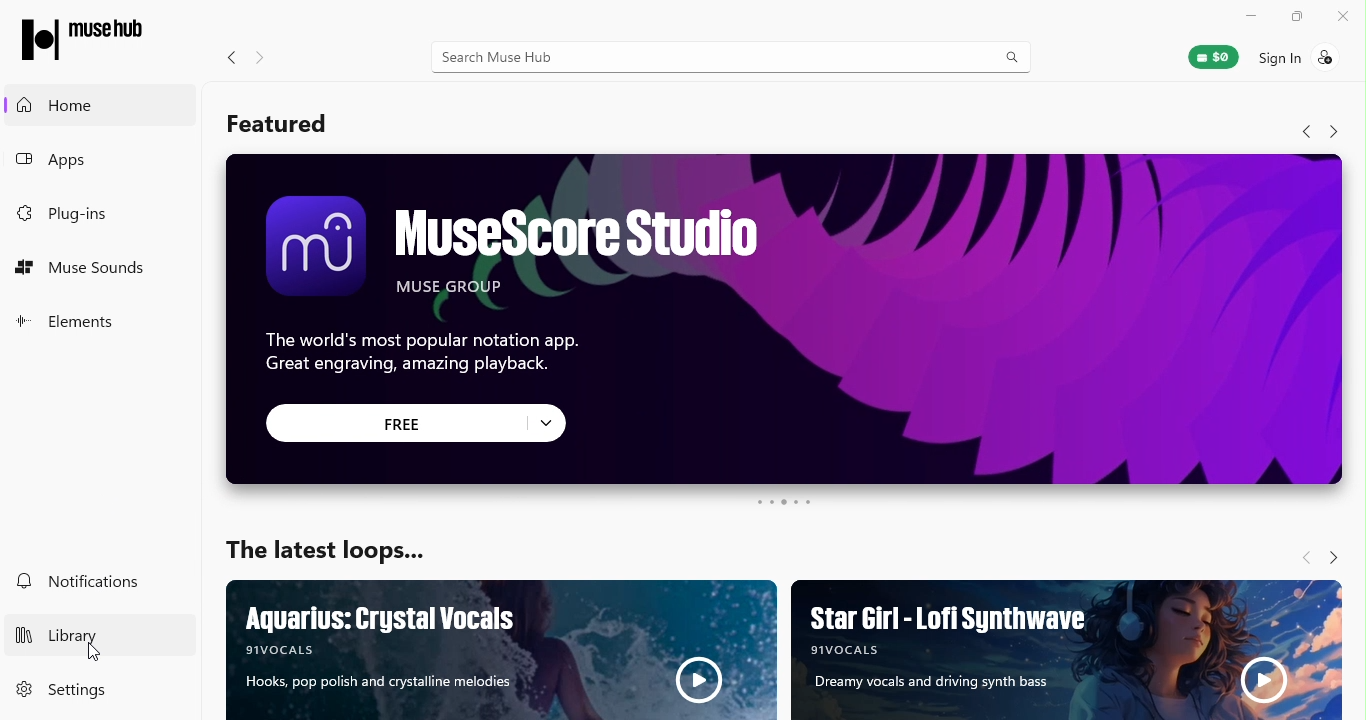  What do you see at coordinates (734, 59) in the screenshot?
I see `Search bar` at bounding box center [734, 59].